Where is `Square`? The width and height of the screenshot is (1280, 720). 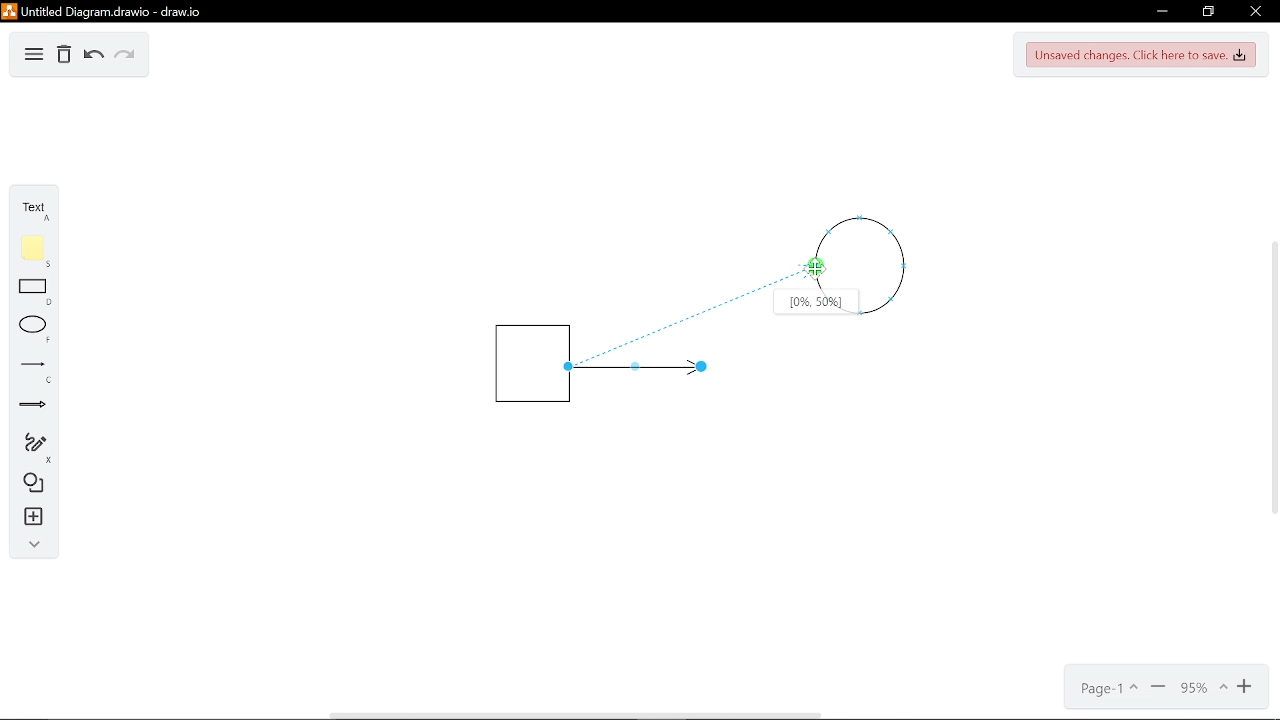
Square is located at coordinates (514, 363).